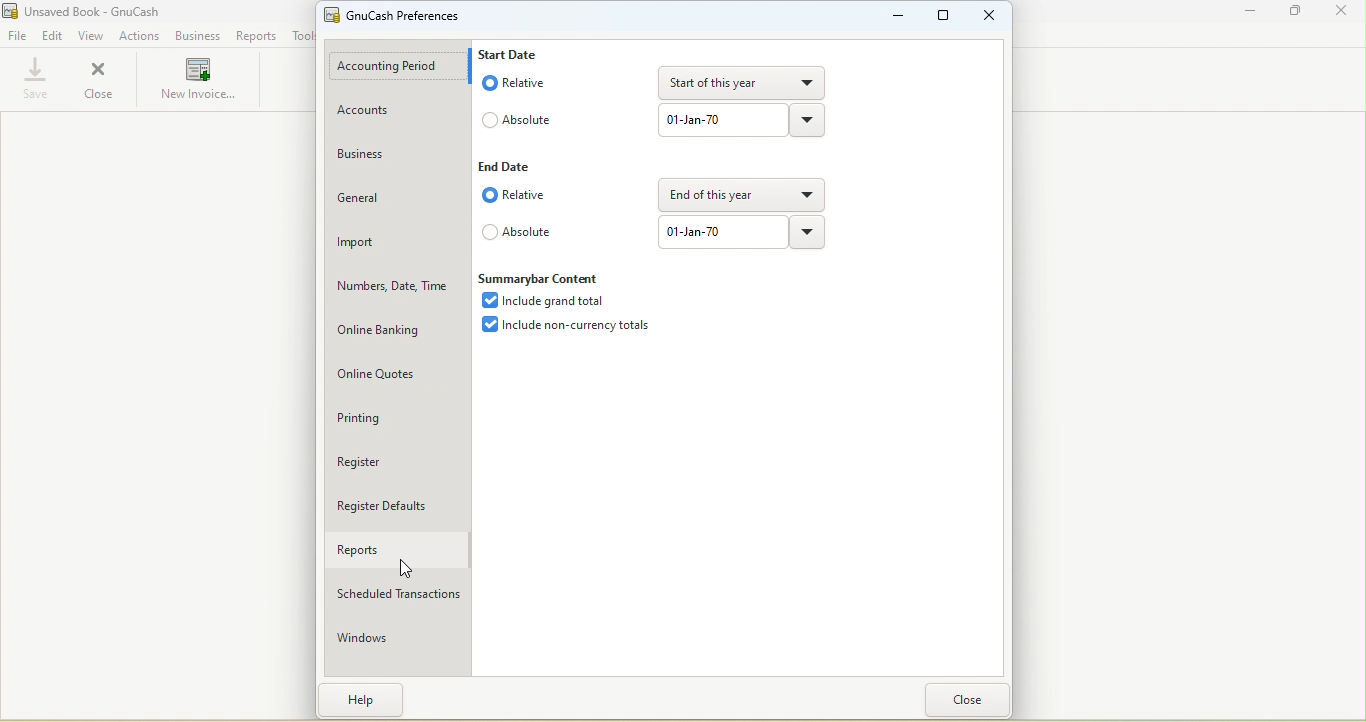 The width and height of the screenshot is (1366, 722). What do you see at coordinates (719, 120) in the screenshot?
I see `text box` at bounding box center [719, 120].